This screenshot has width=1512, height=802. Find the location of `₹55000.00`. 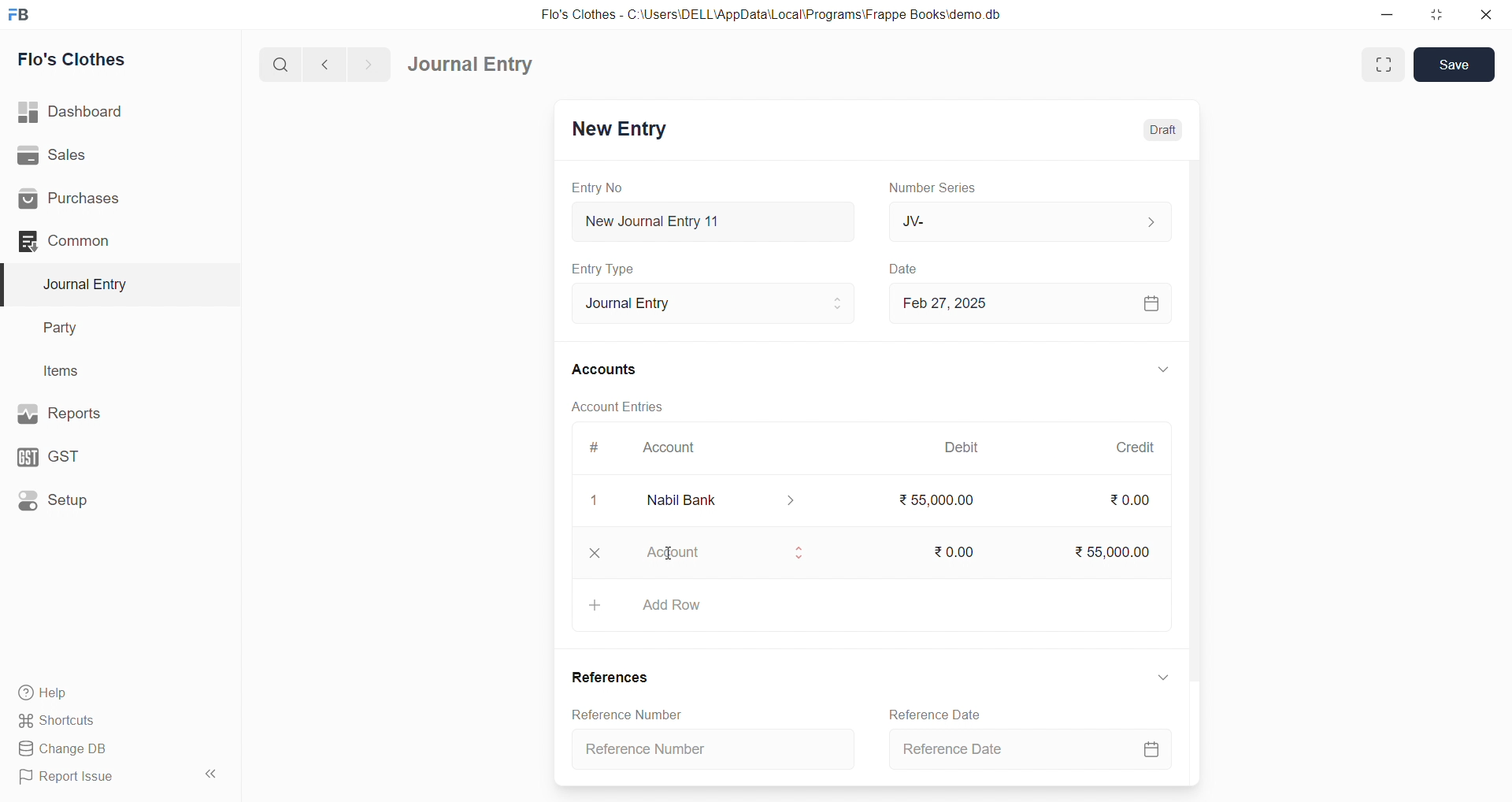

₹55000.00 is located at coordinates (940, 503).